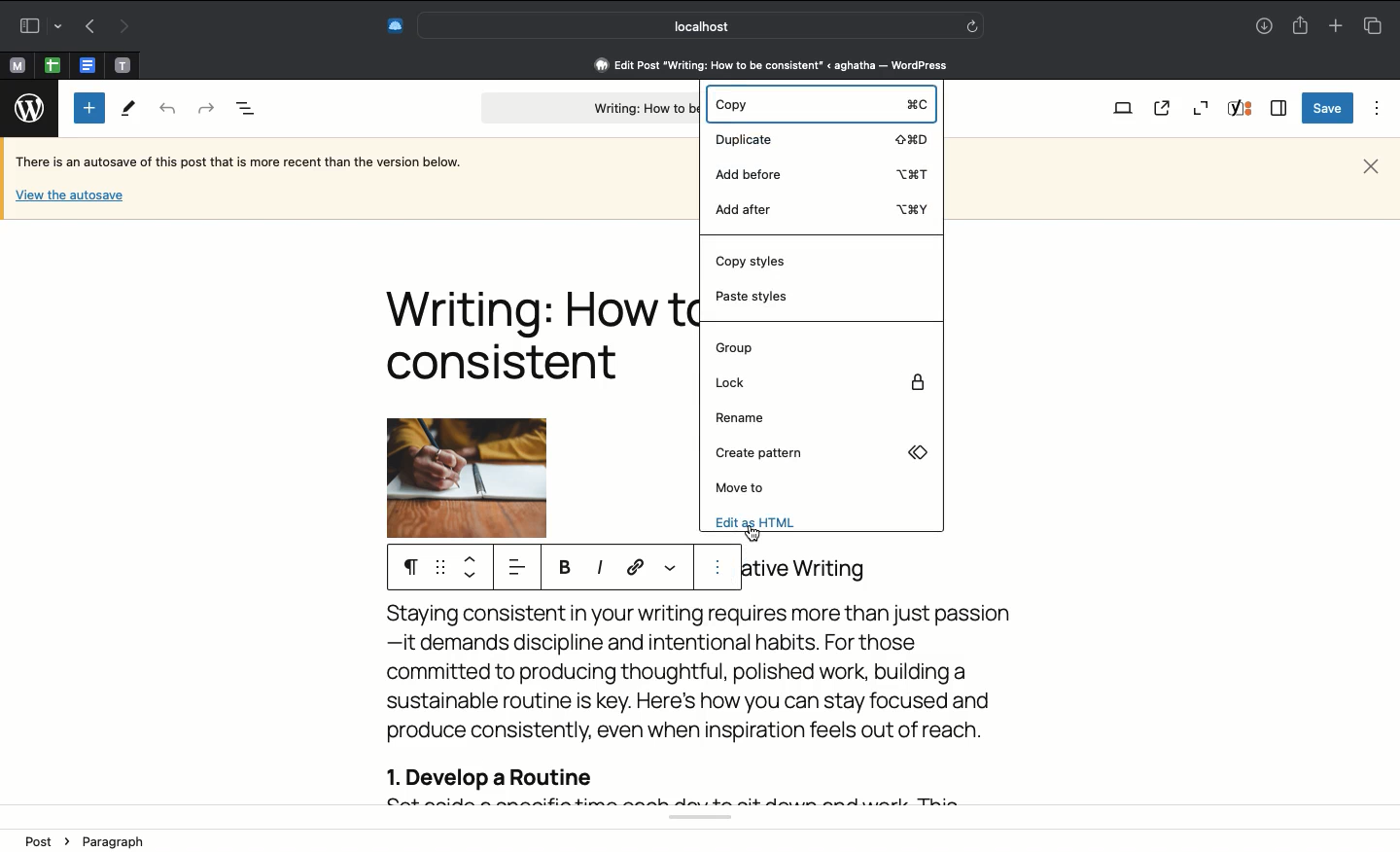  Describe the element at coordinates (86, 61) in the screenshot. I see `pinned tab, google docs` at that location.